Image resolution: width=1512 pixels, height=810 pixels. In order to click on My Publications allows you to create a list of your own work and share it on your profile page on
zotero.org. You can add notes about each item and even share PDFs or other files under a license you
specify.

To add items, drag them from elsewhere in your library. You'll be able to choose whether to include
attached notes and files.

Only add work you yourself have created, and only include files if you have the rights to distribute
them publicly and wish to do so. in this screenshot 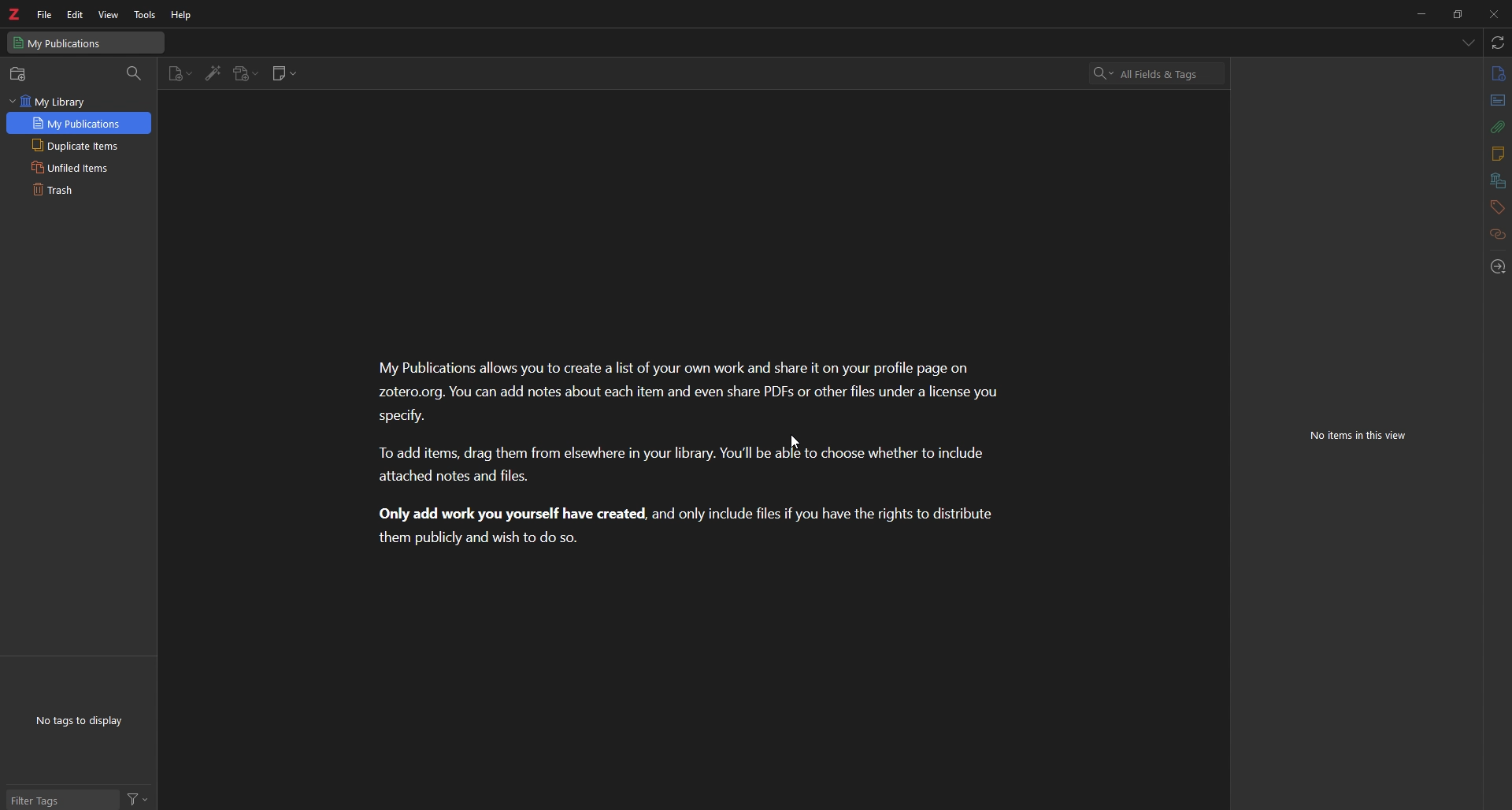, I will do `click(694, 453)`.